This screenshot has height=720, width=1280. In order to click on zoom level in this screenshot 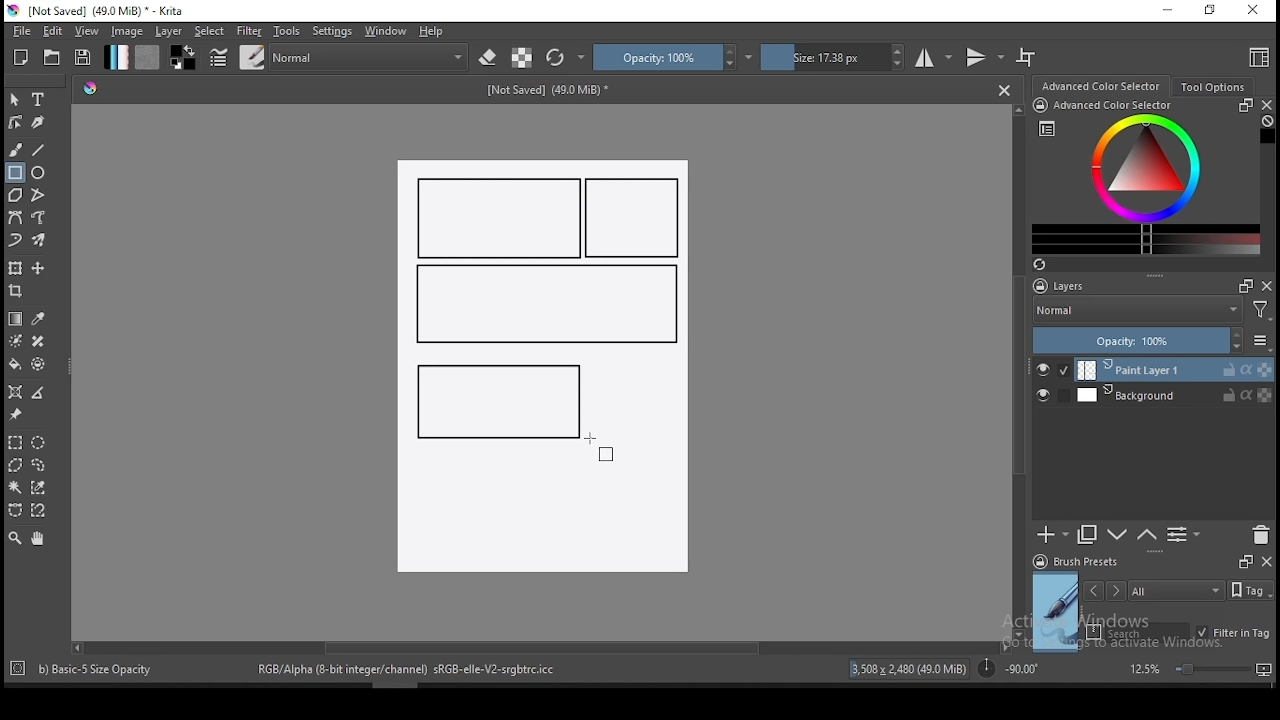, I will do `click(1200, 668)`.